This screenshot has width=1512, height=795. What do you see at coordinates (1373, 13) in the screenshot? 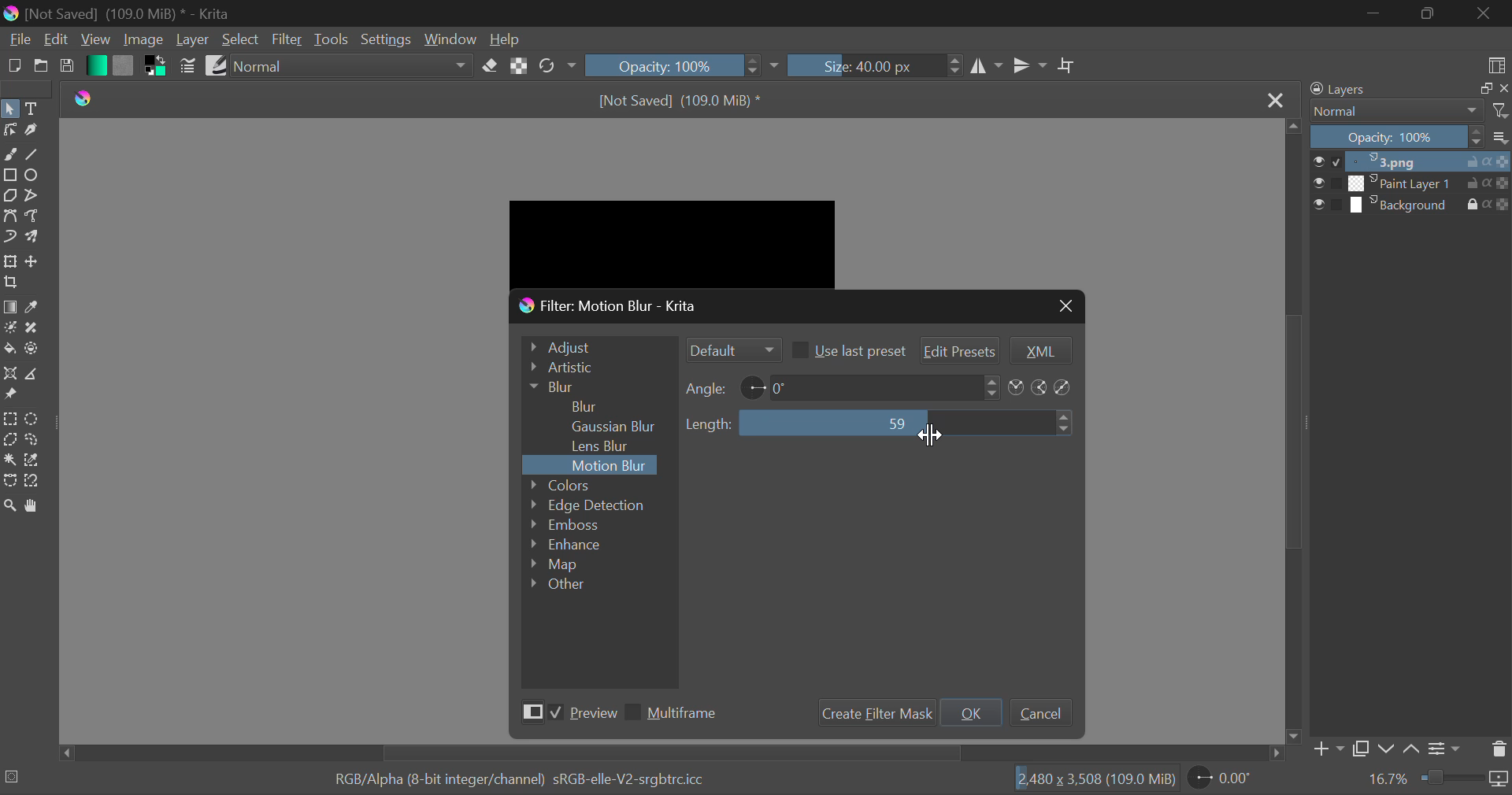
I see `Restore Down` at bounding box center [1373, 13].